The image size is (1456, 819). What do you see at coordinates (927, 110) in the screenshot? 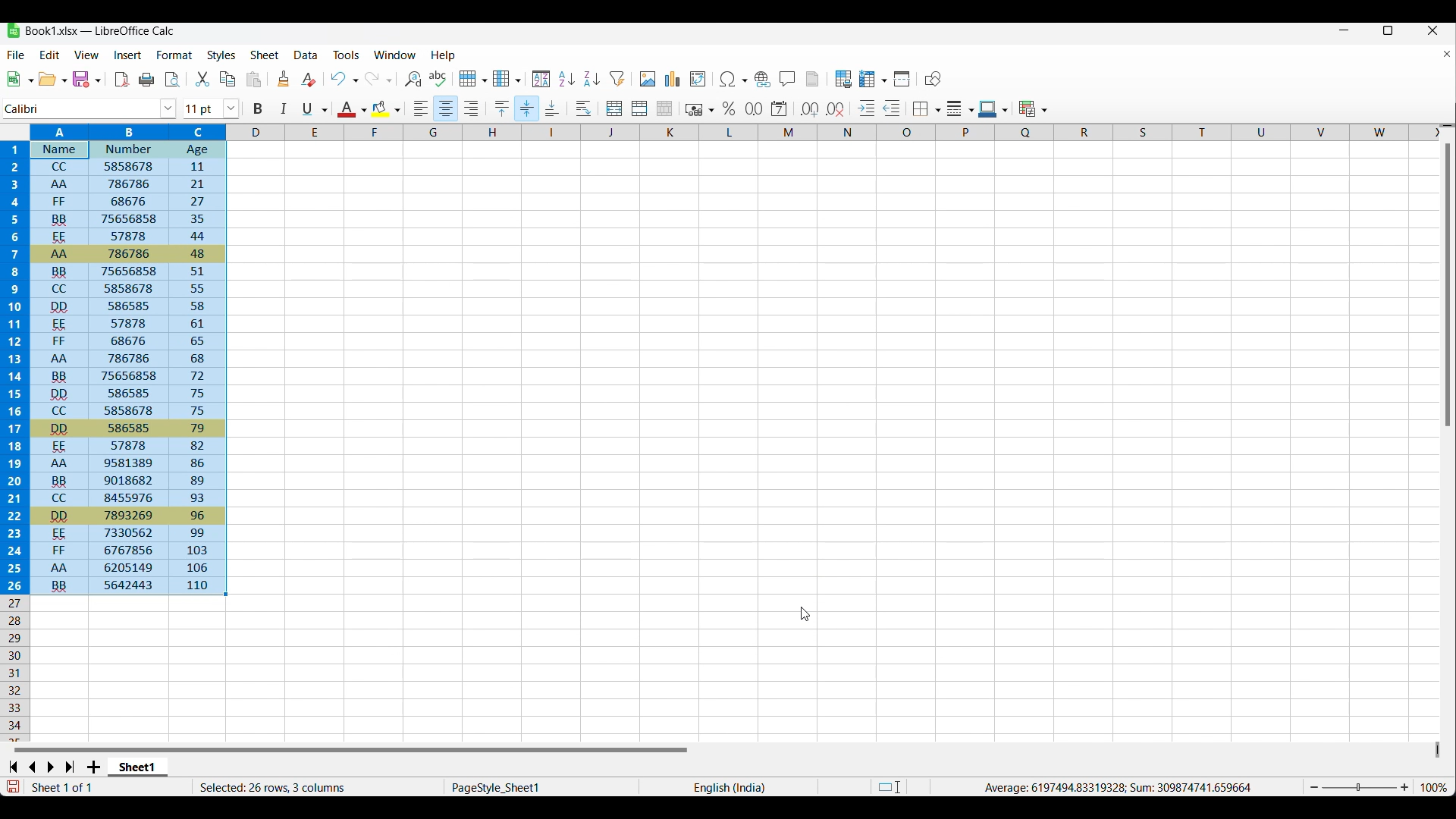
I see `Borders shift to overwrite options` at bounding box center [927, 110].